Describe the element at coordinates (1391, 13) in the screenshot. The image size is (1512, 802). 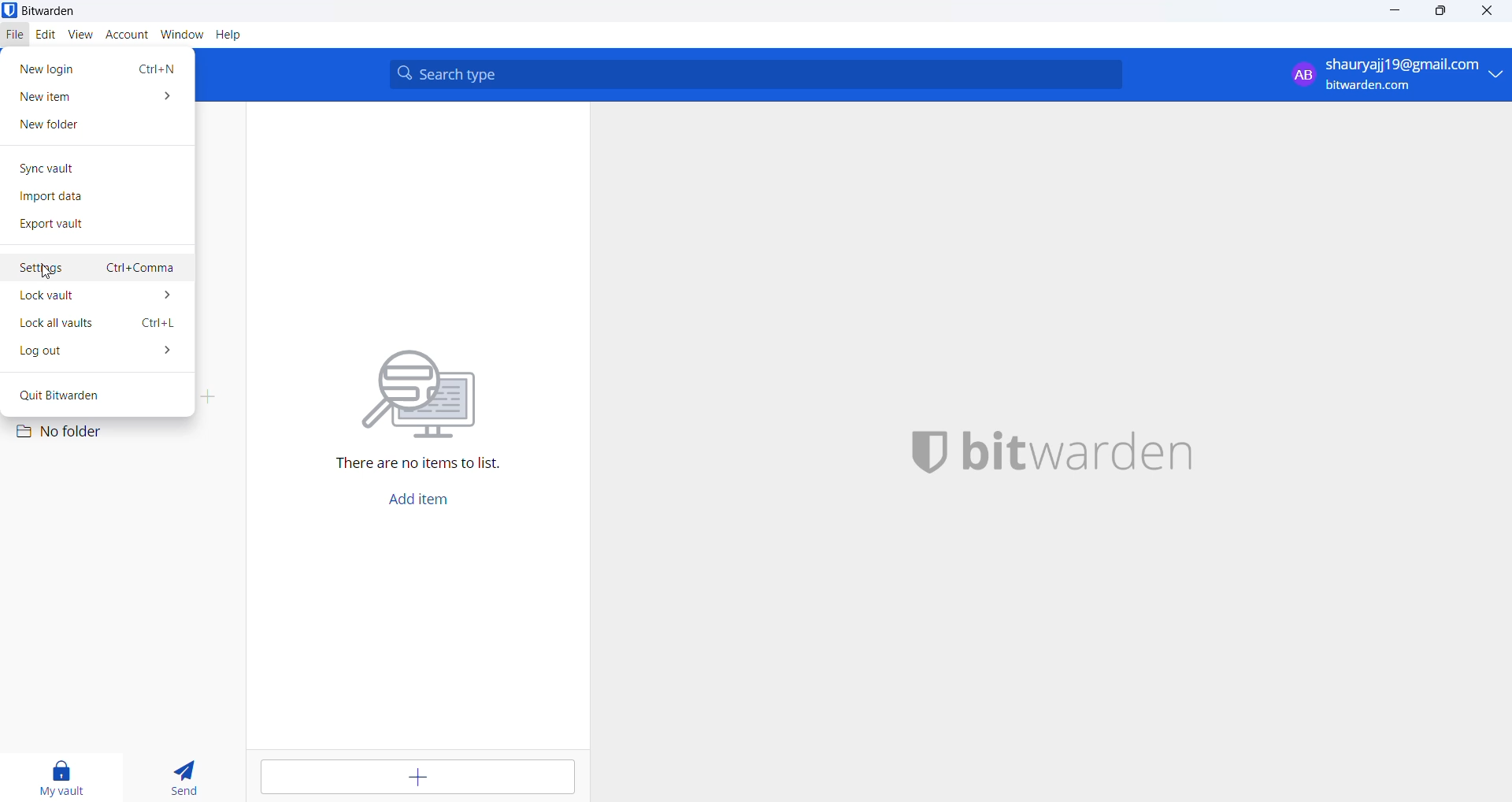
I see `minimize` at that location.